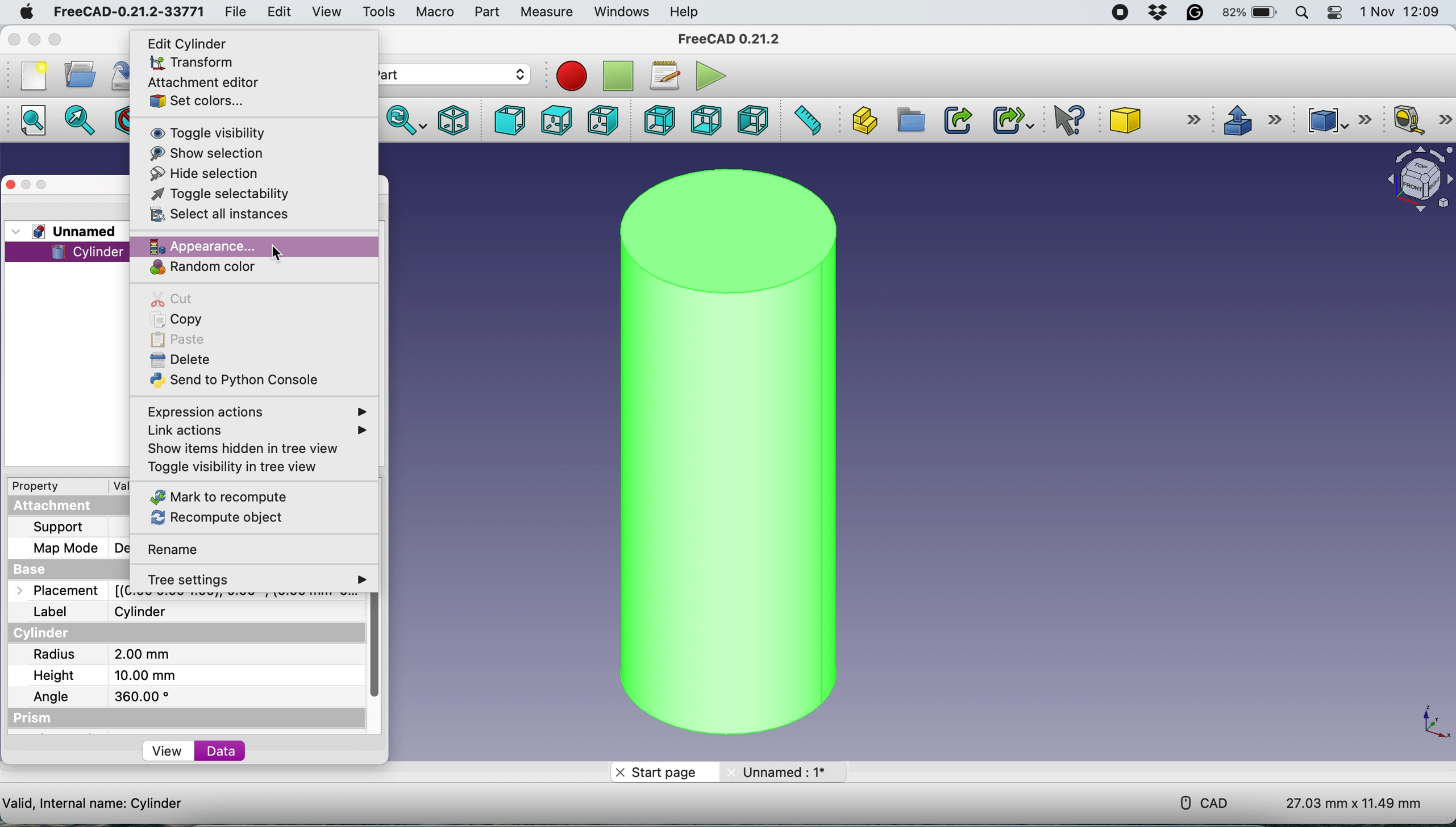  What do you see at coordinates (1304, 13) in the screenshot?
I see `spotlight search` at bounding box center [1304, 13].